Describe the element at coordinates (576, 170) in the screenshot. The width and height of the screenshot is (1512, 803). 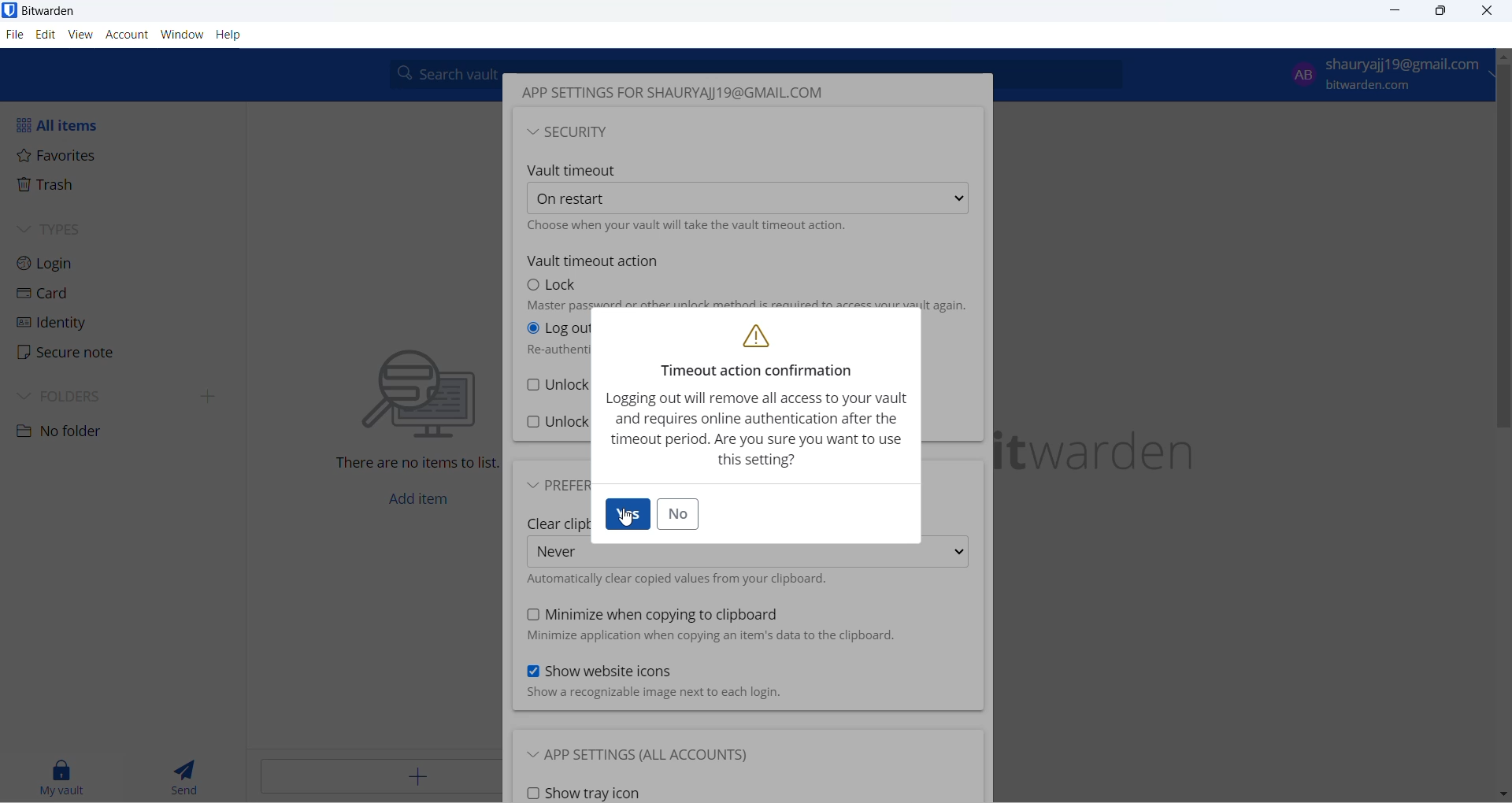
I see `vault timeout heading` at that location.